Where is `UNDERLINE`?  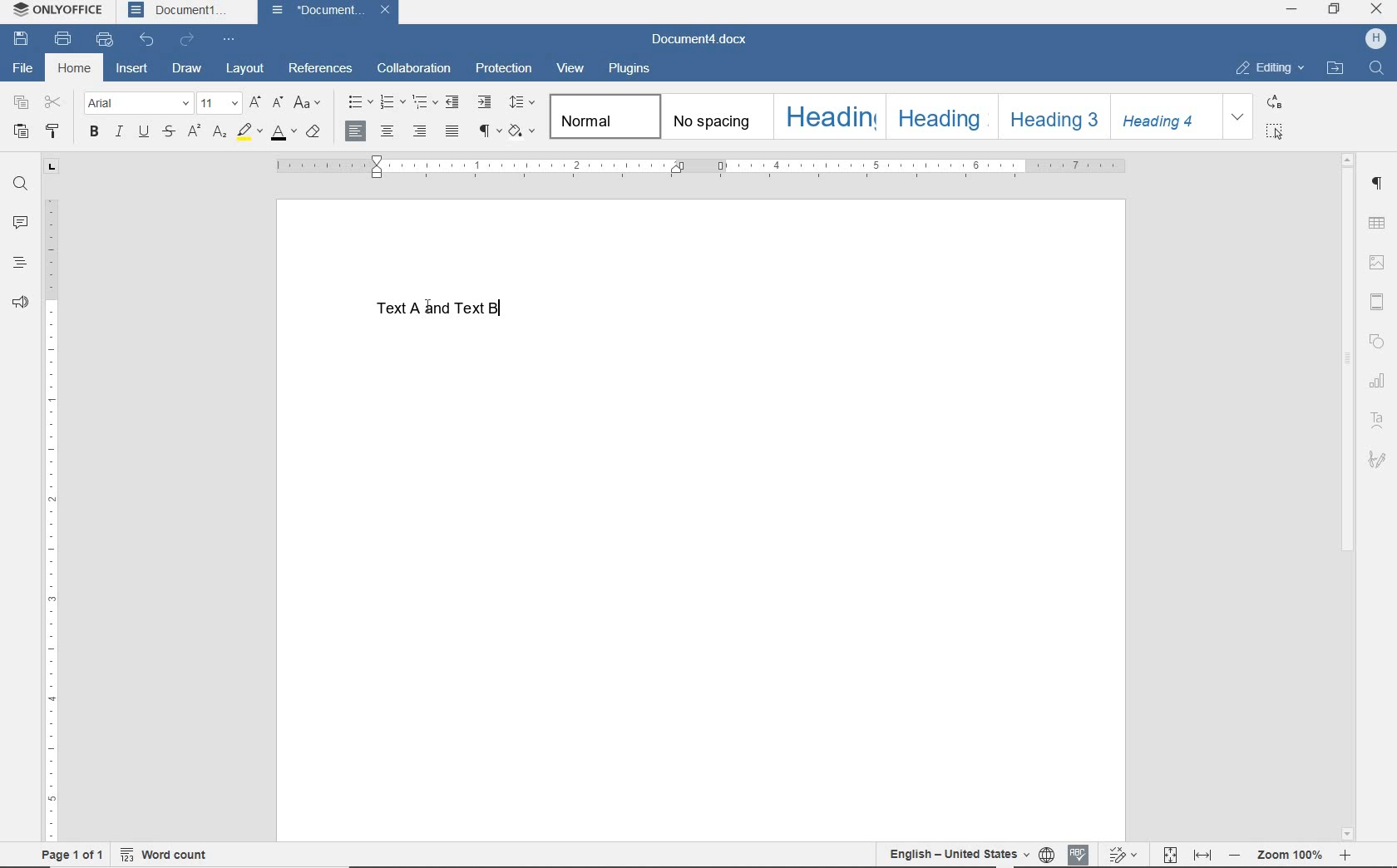
UNDERLINE is located at coordinates (142, 132).